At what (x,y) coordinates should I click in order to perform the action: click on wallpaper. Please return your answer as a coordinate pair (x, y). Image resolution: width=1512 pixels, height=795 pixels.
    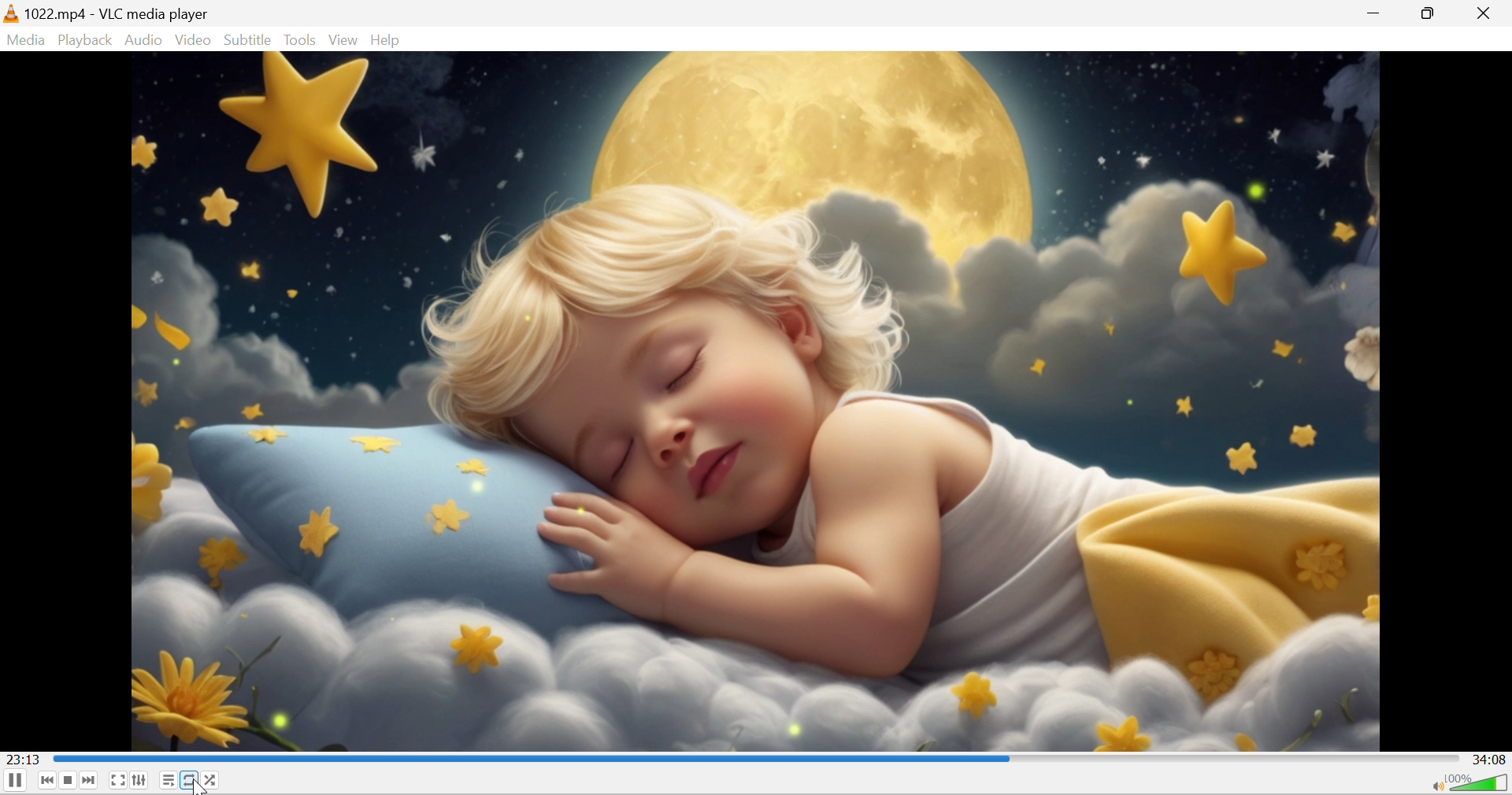
    Looking at the image, I should click on (754, 401).